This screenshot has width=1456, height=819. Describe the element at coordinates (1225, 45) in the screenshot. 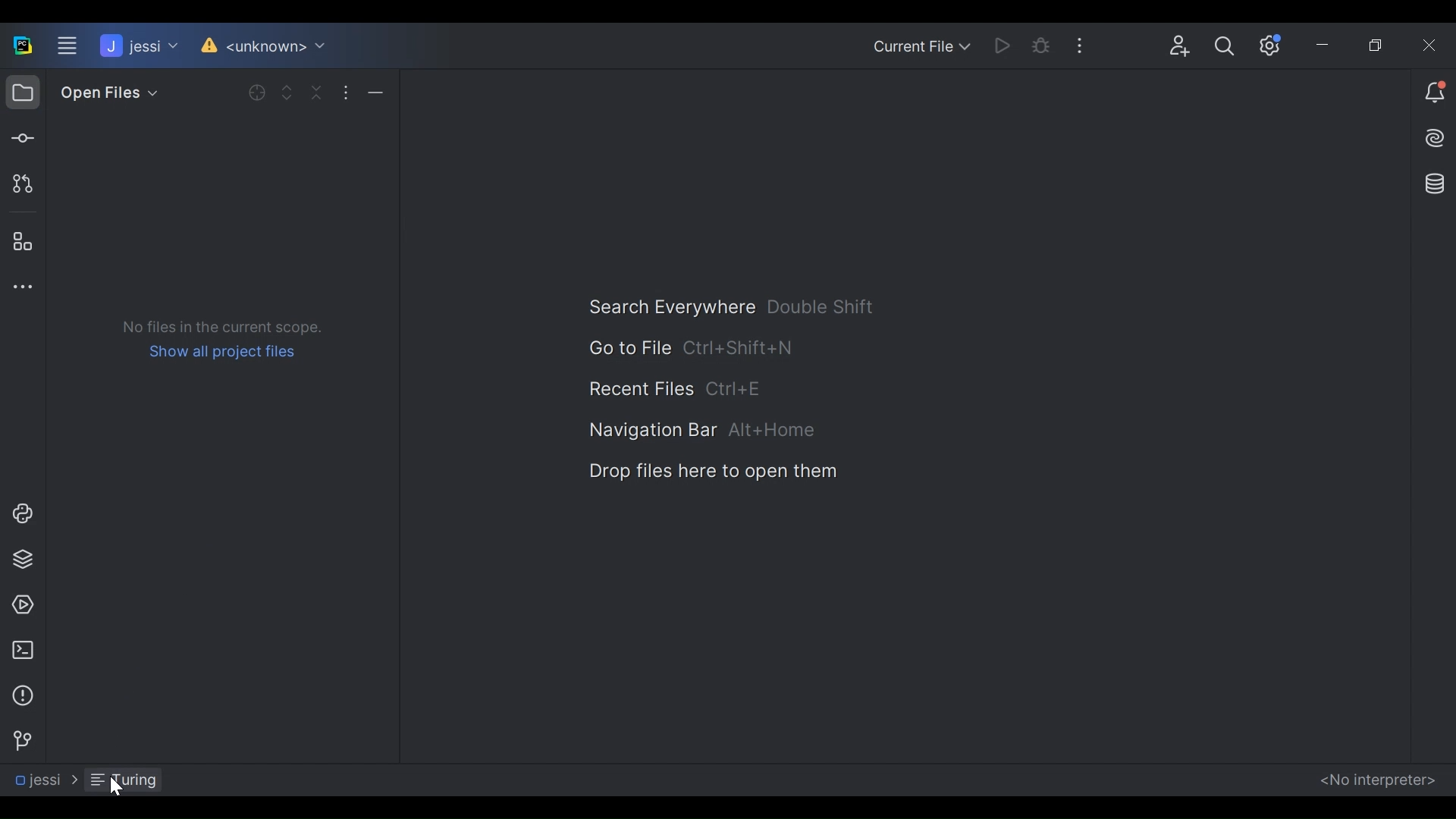

I see `Search` at that location.